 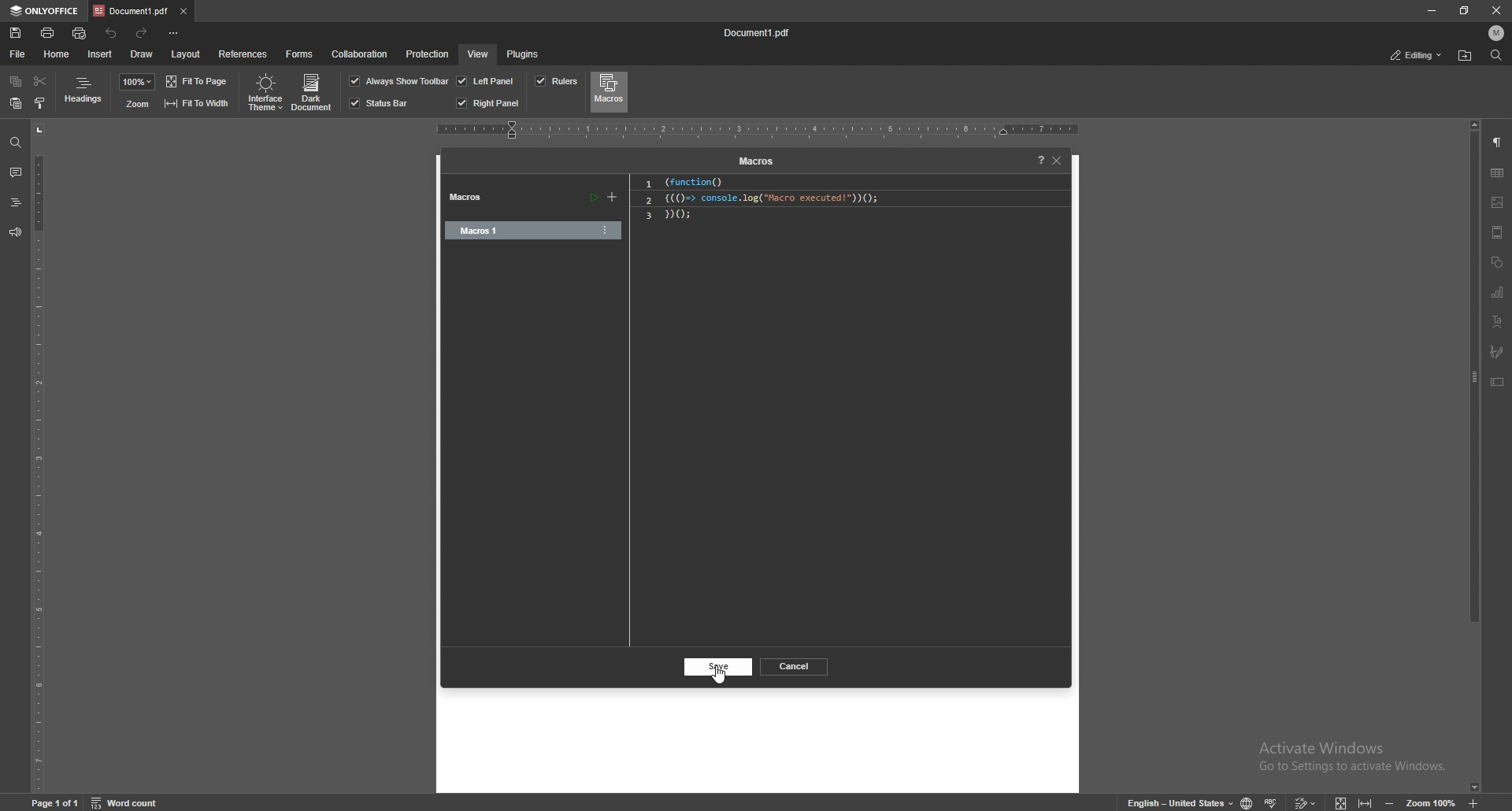 What do you see at coordinates (1036, 161) in the screenshot?
I see `help` at bounding box center [1036, 161].